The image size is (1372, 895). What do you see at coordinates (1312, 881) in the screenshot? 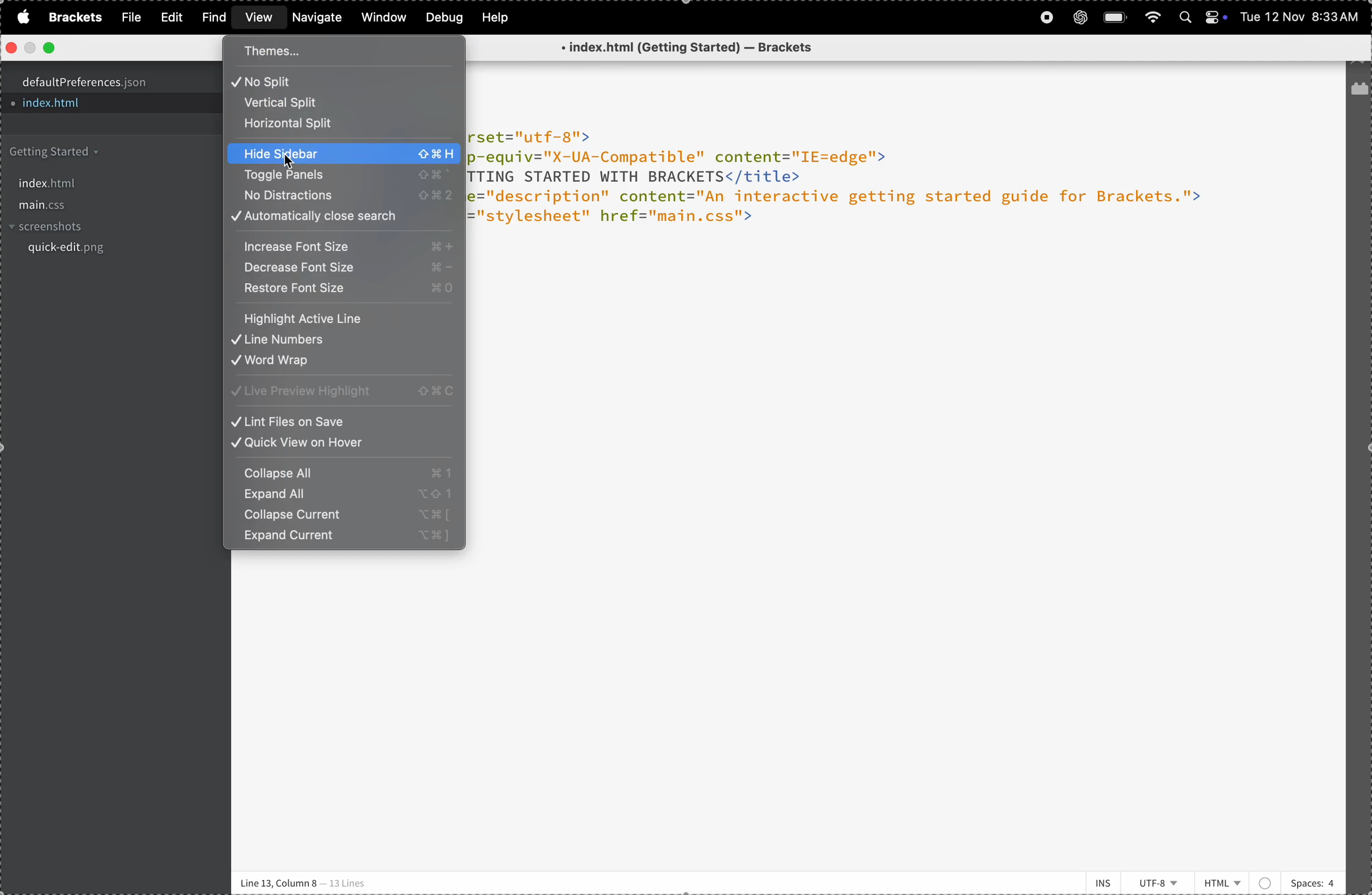
I see `space 4` at bounding box center [1312, 881].